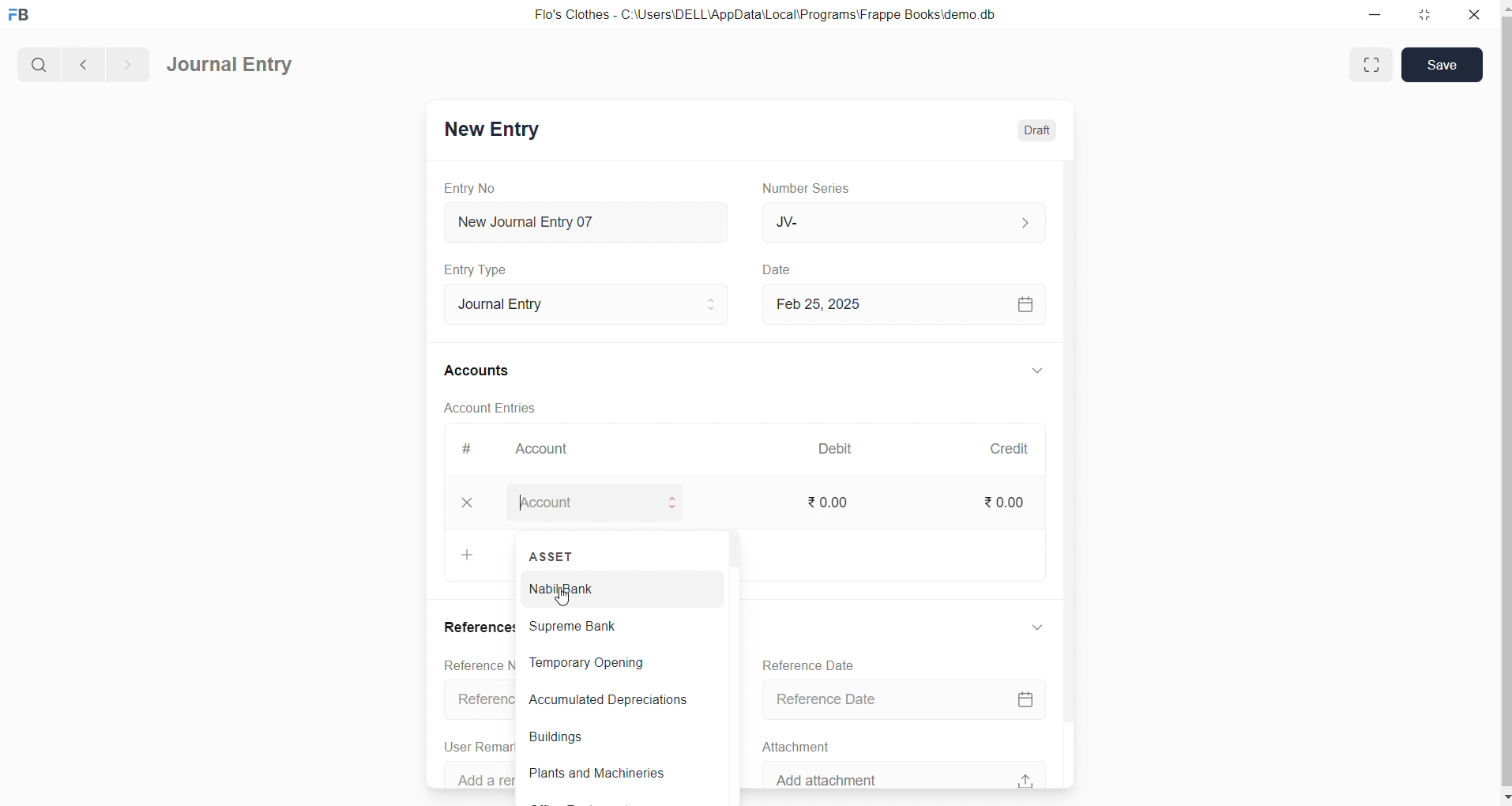 The image size is (1512, 806). I want to click on minimize, so click(1376, 16).